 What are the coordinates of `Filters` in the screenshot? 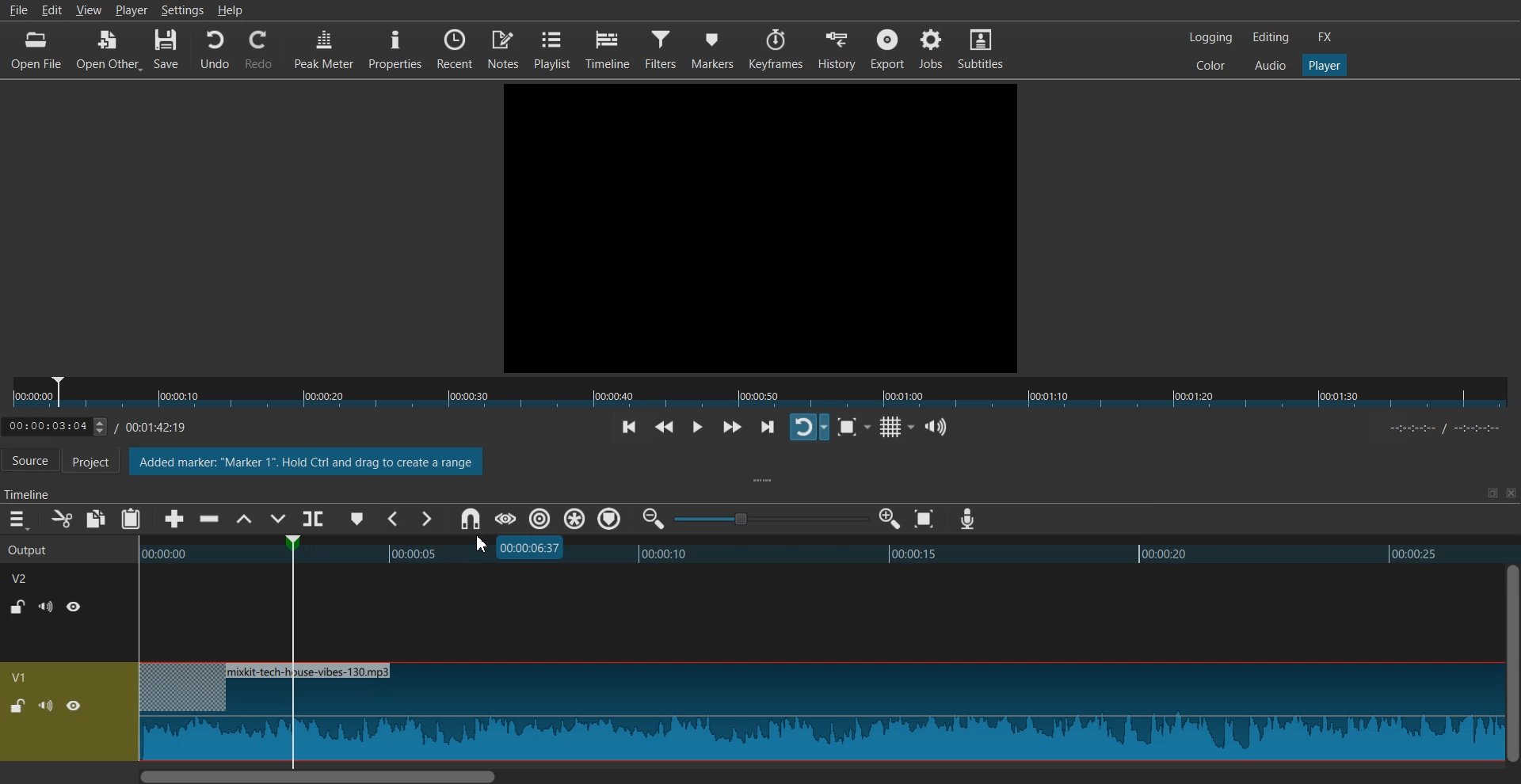 It's located at (661, 48).